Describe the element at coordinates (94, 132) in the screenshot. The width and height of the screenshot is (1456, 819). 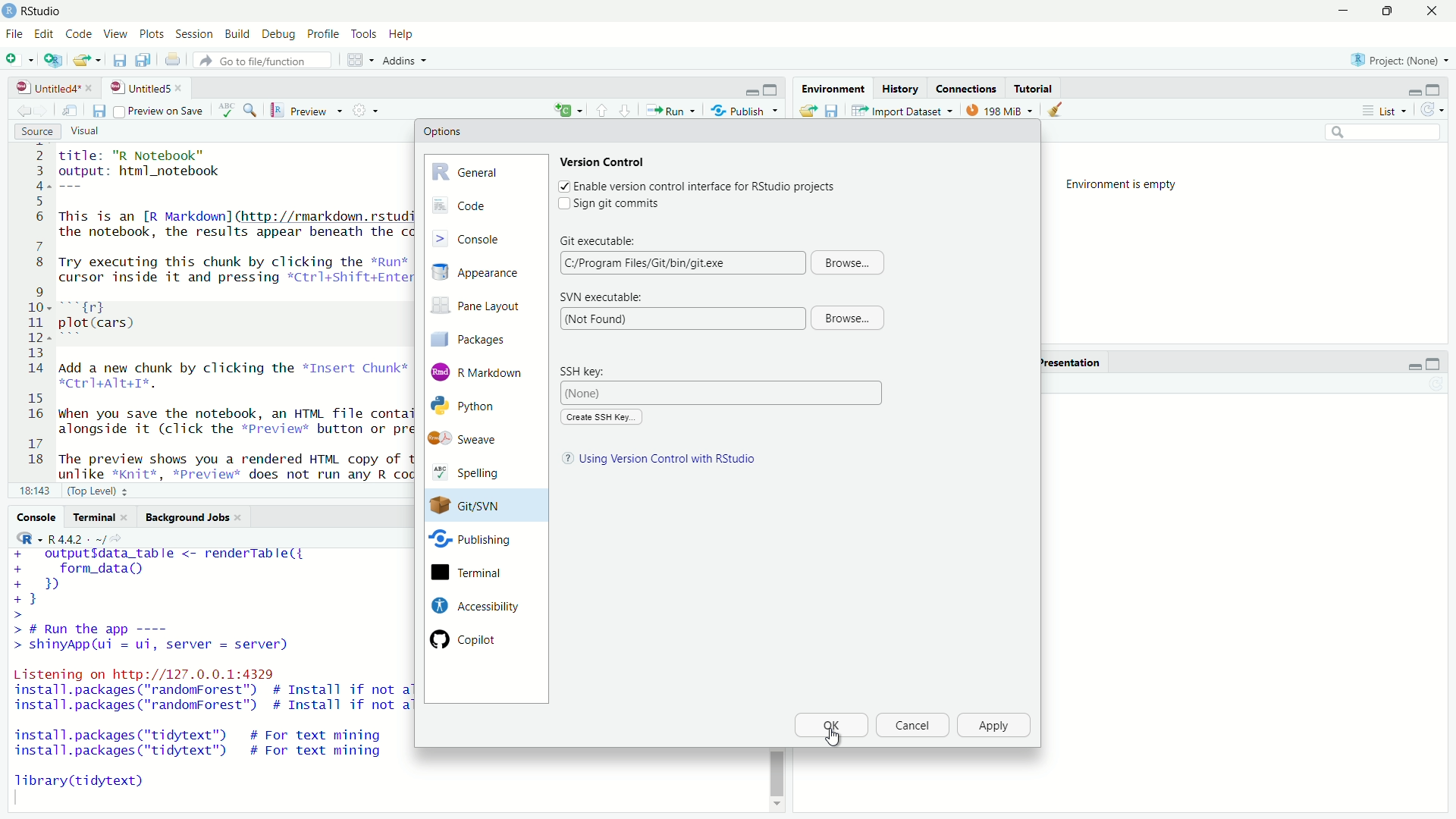
I see `Visual` at that location.